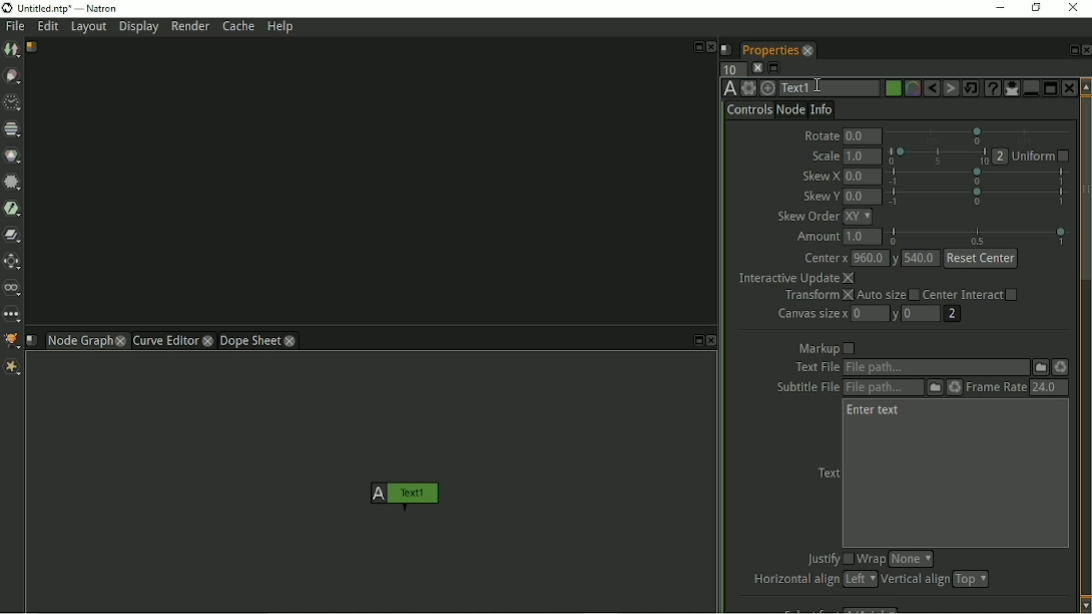 This screenshot has height=614, width=1092. Describe the element at coordinates (1034, 7) in the screenshot. I see `Restore down` at that location.